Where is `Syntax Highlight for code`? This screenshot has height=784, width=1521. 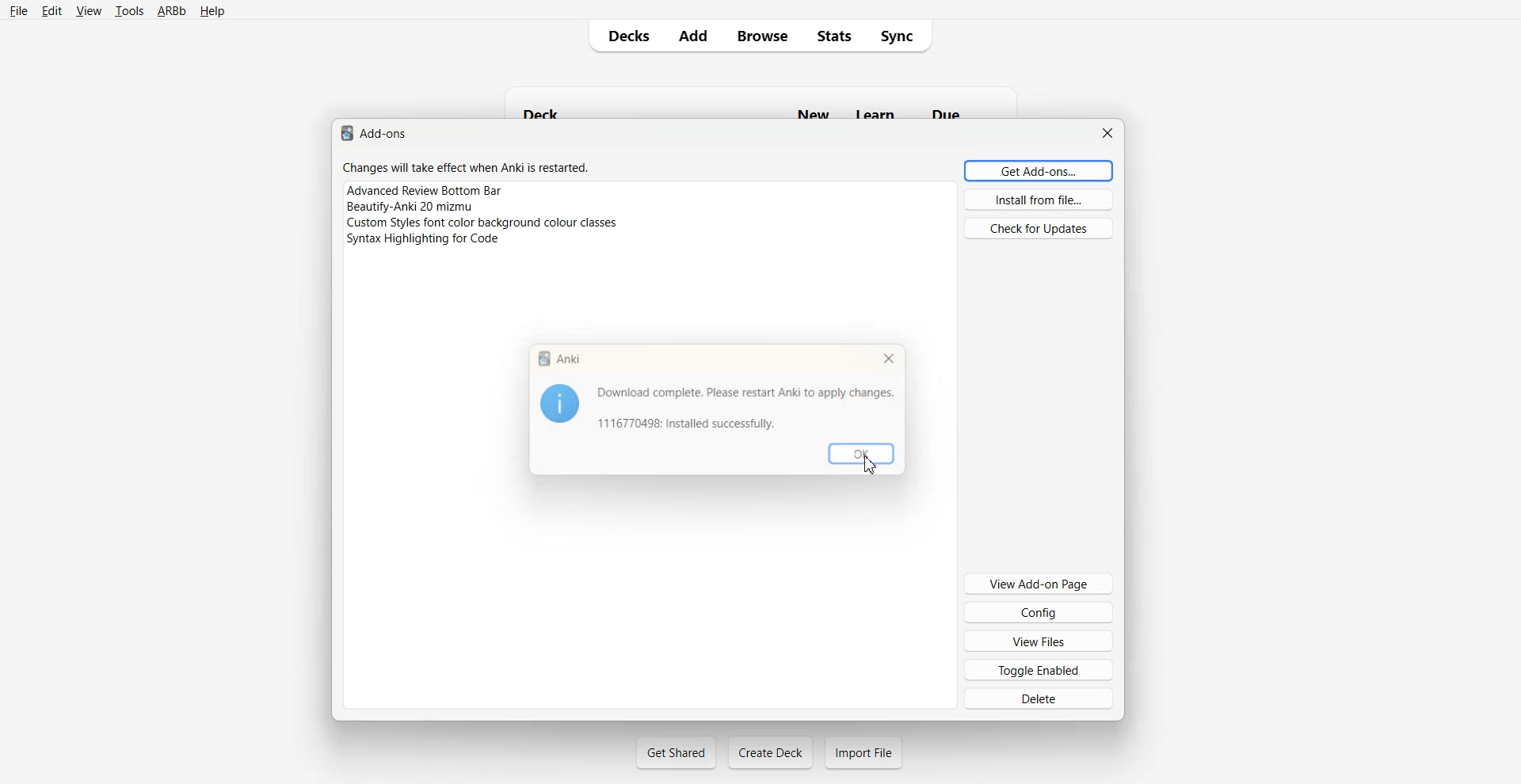
Syntax Highlight for code is located at coordinates (650, 241).